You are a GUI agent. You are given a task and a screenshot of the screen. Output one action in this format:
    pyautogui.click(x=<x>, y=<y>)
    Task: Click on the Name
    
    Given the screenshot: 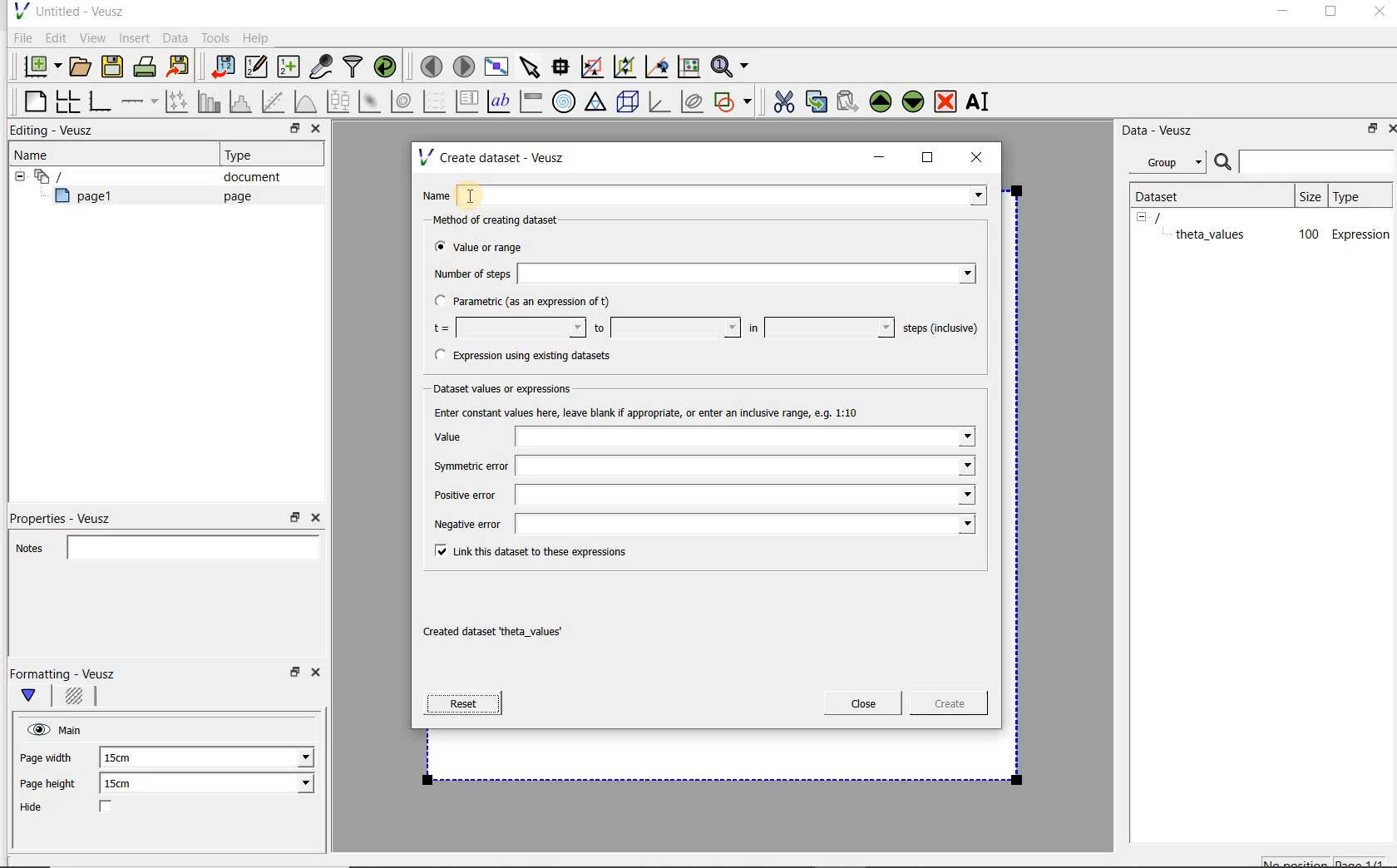 What is the action you would take?
    pyautogui.click(x=708, y=194)
    